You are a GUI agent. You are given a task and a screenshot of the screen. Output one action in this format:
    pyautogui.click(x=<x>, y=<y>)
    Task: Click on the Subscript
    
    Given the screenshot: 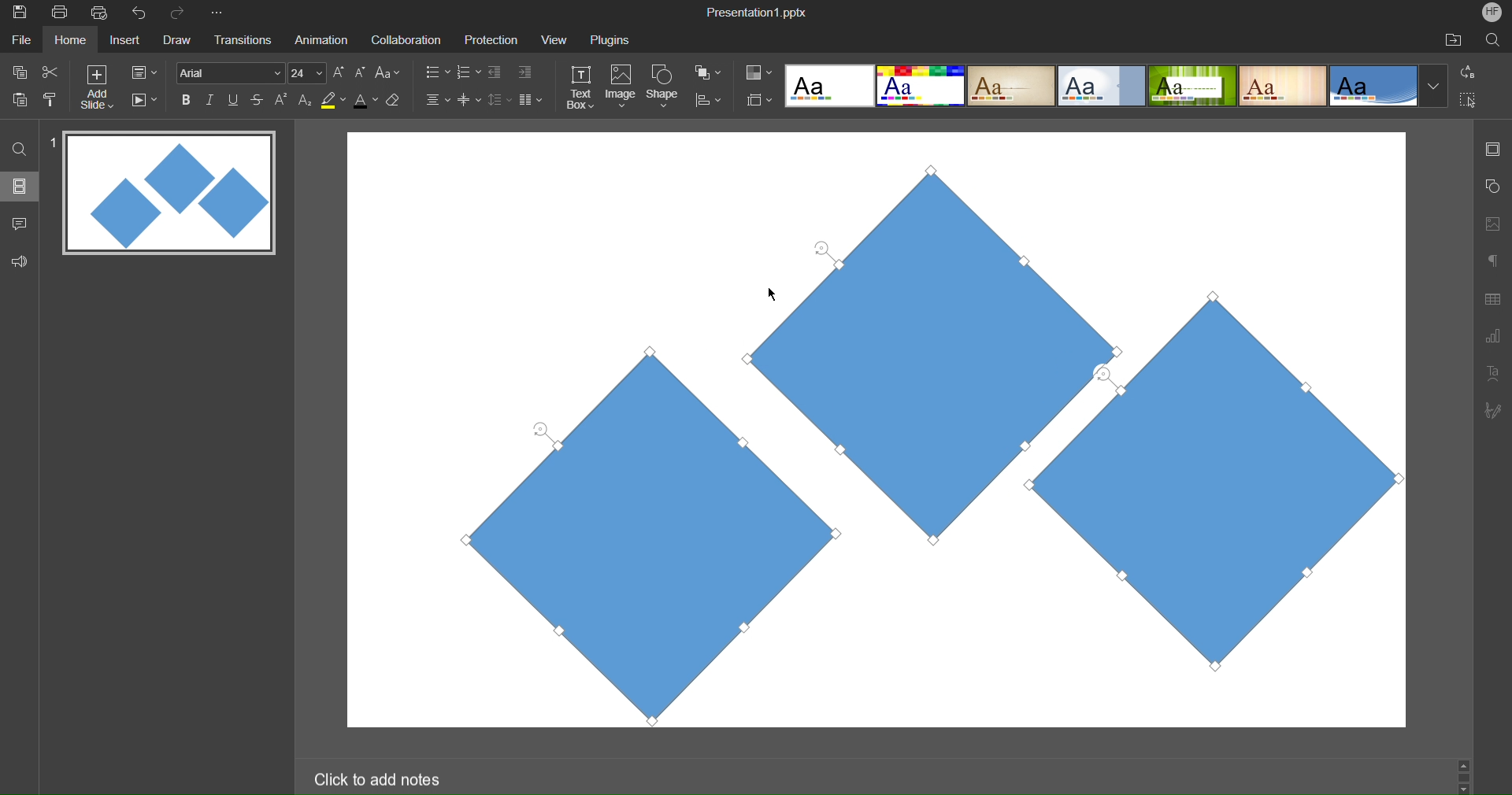 What is the action you would take?
    pyautogui.click(x=306, y=99)
    